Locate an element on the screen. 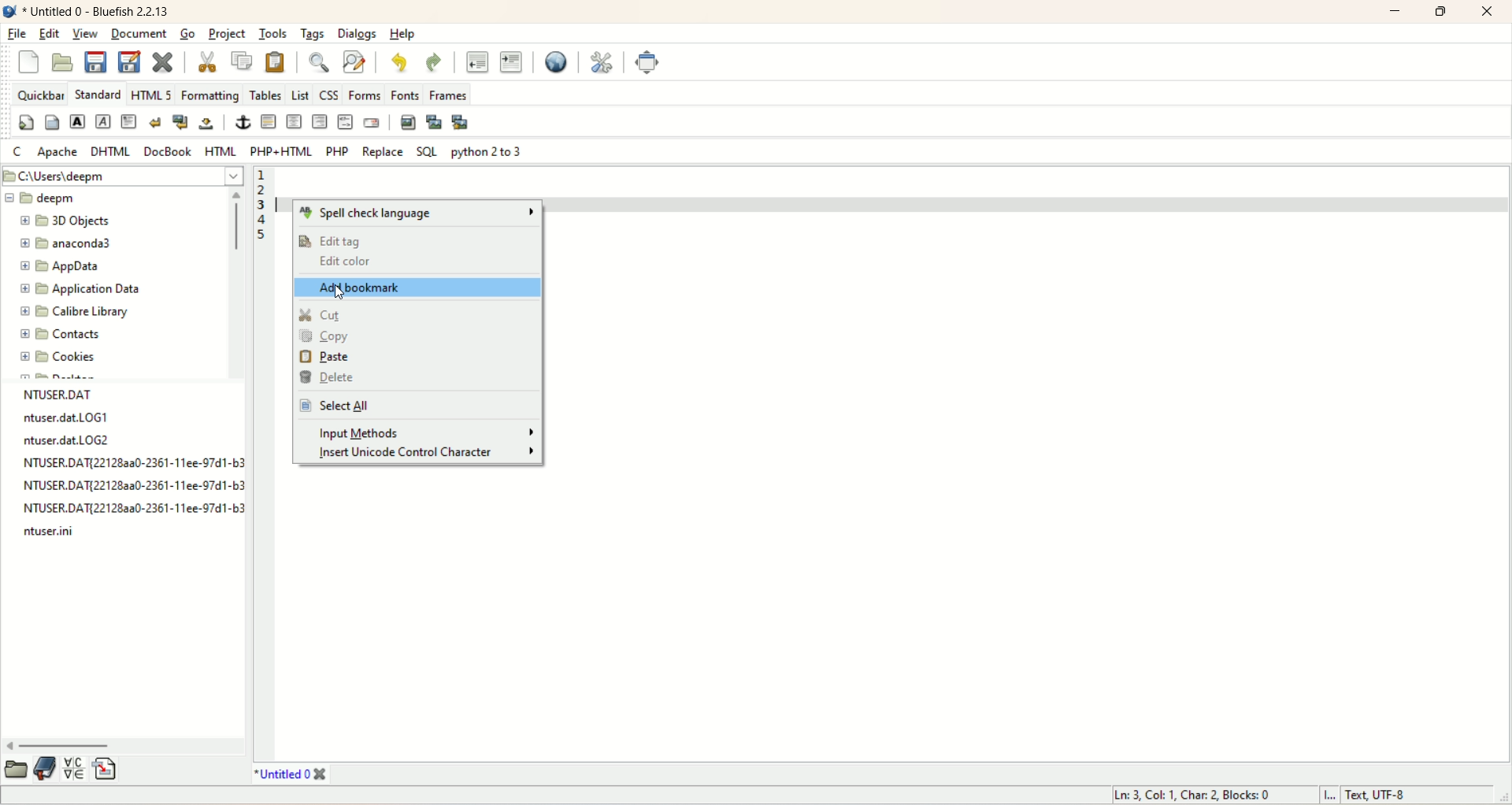 The height and width of the screenshot is (805, 1512). copy is located at coordinates (328, 336).